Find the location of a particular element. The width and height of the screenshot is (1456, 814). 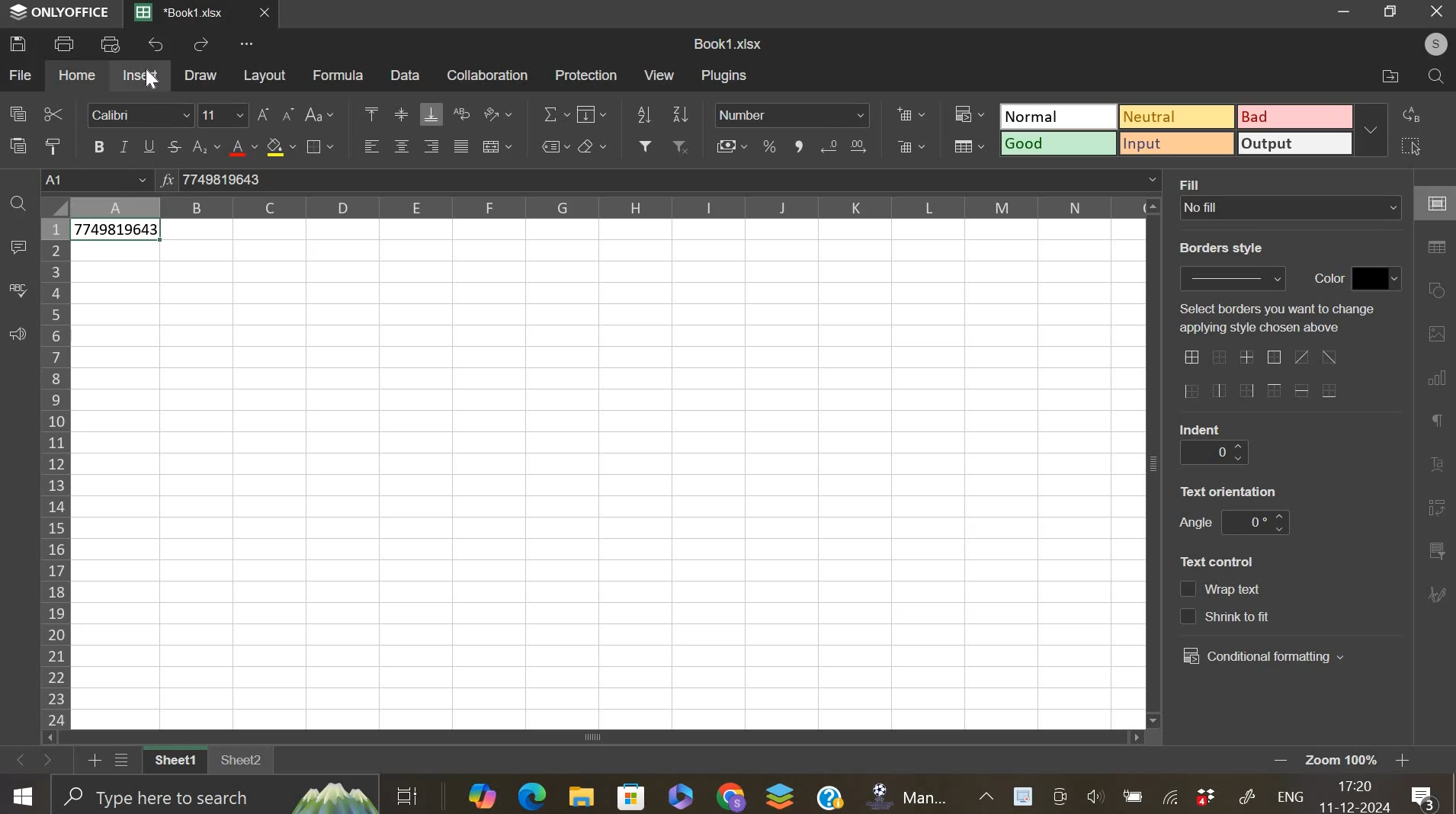

named ranges is located at coordinates (553, 147).